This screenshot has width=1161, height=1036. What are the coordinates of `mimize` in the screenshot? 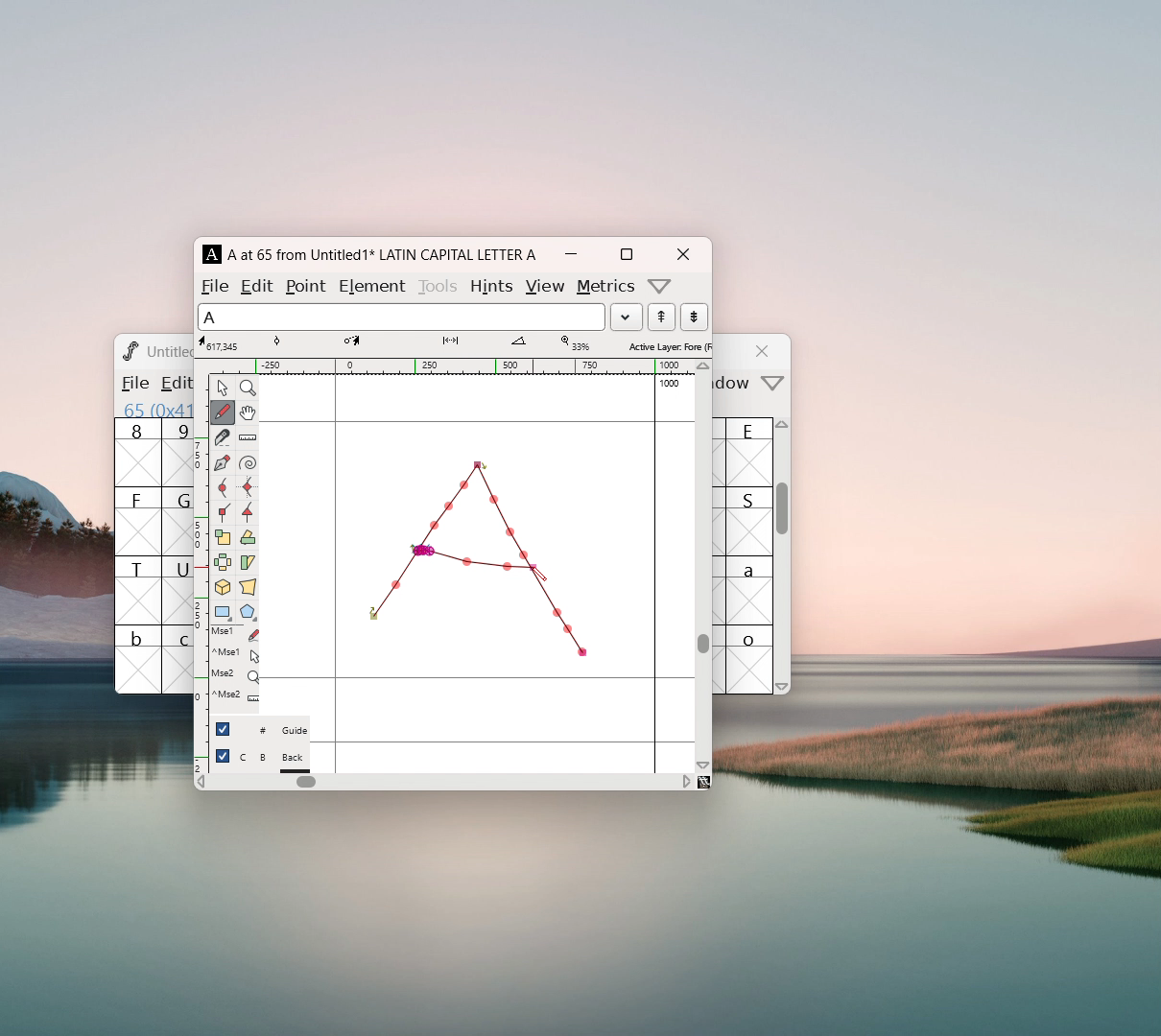 It's located at (571, 254).